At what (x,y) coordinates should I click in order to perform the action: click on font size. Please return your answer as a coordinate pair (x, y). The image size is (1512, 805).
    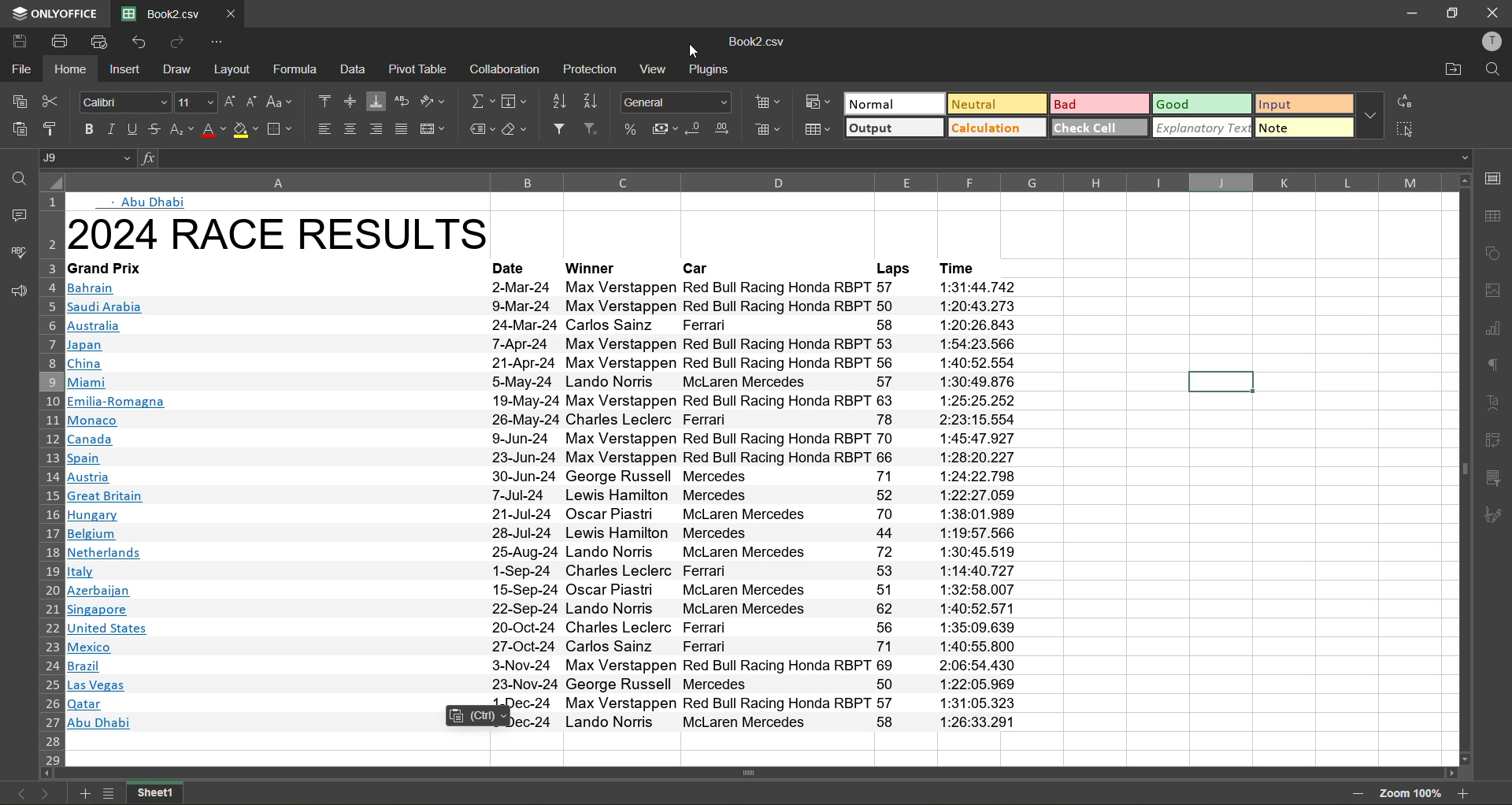
    Looking at the image, I should click on (195, 102).